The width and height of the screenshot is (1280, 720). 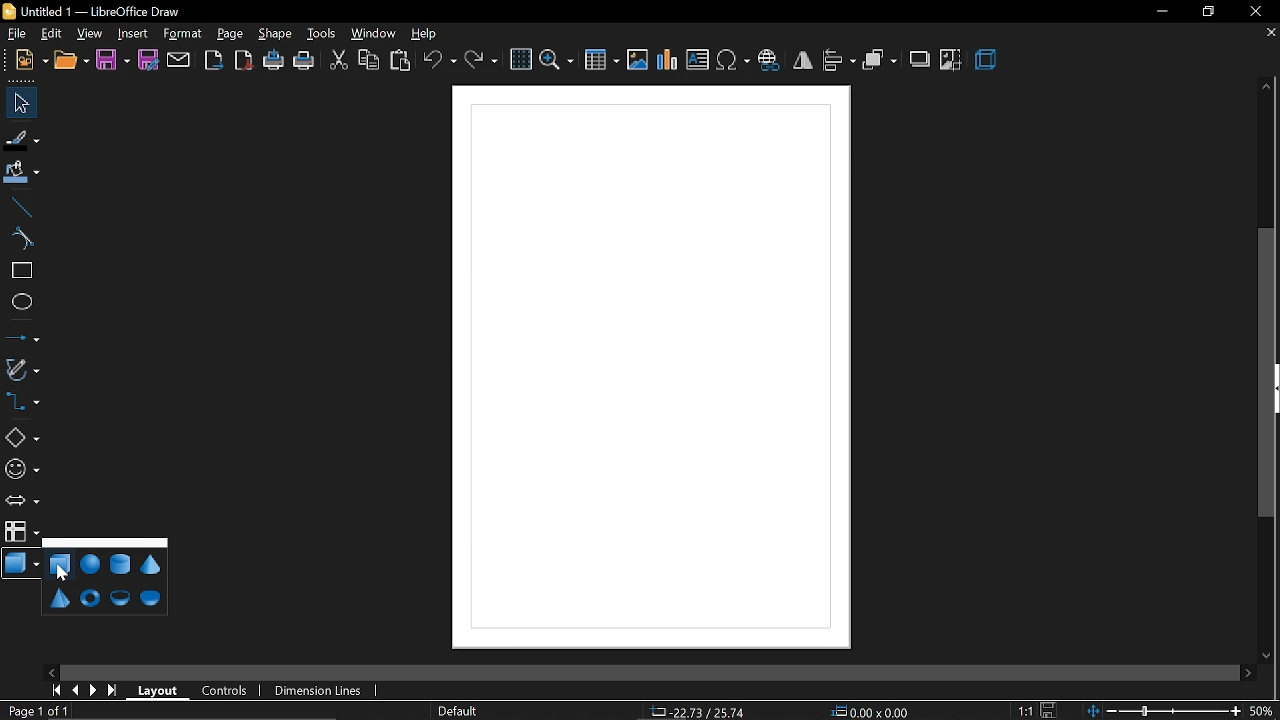 I want to click on shape, so click(x=276, y=34).